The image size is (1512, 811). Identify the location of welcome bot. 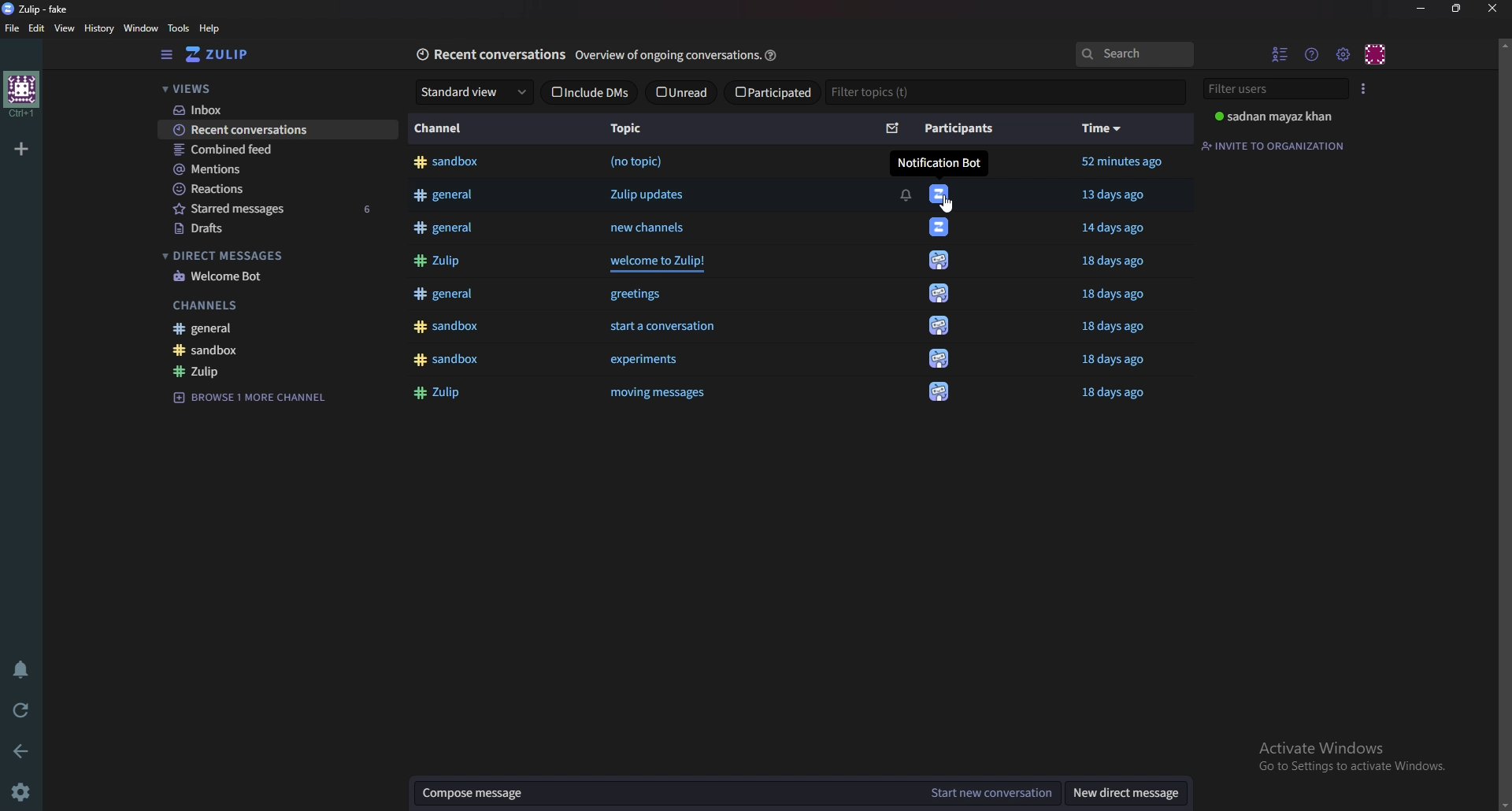
(265, 278).